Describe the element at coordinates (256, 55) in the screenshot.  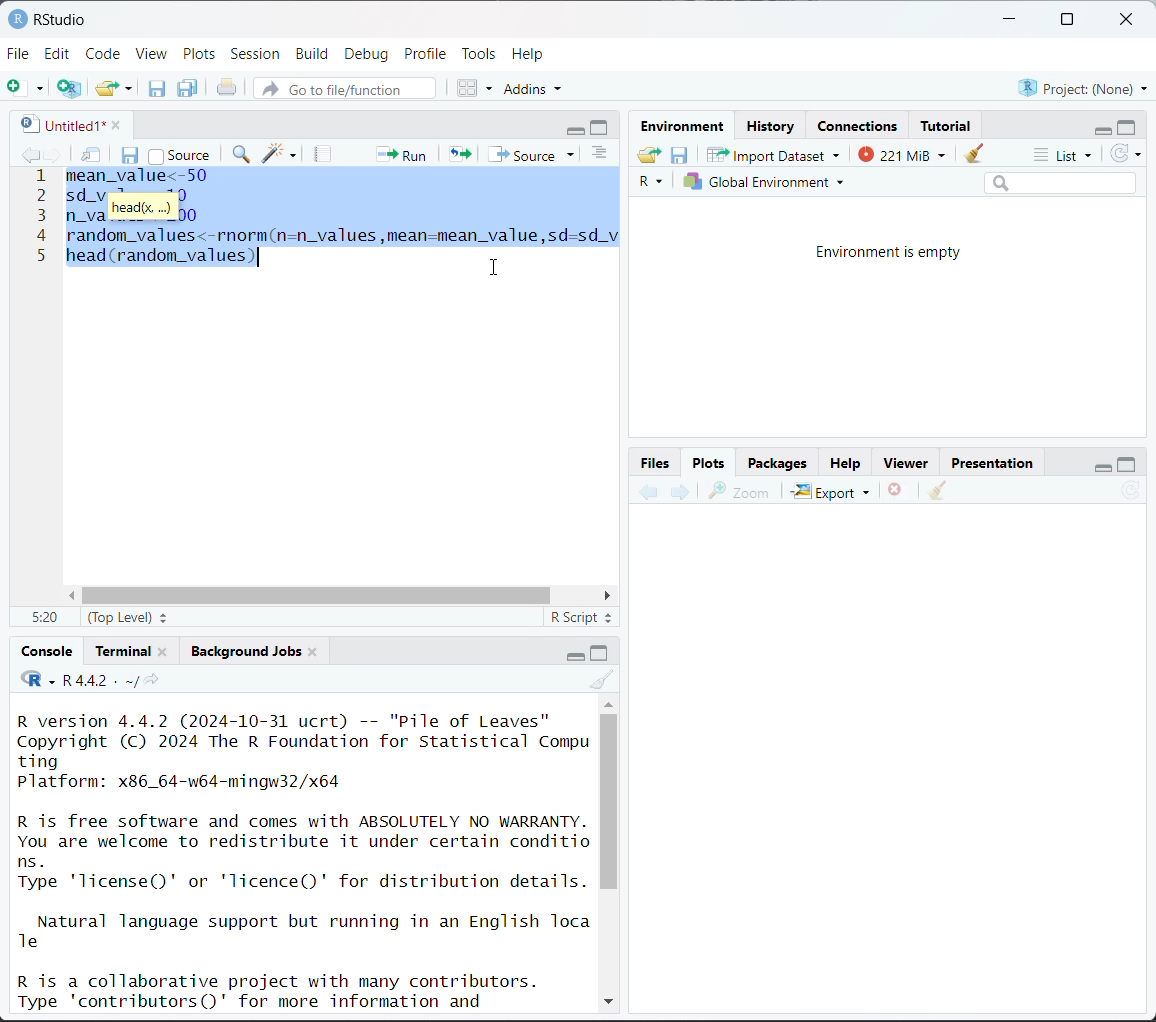
I see `Session` at that location.